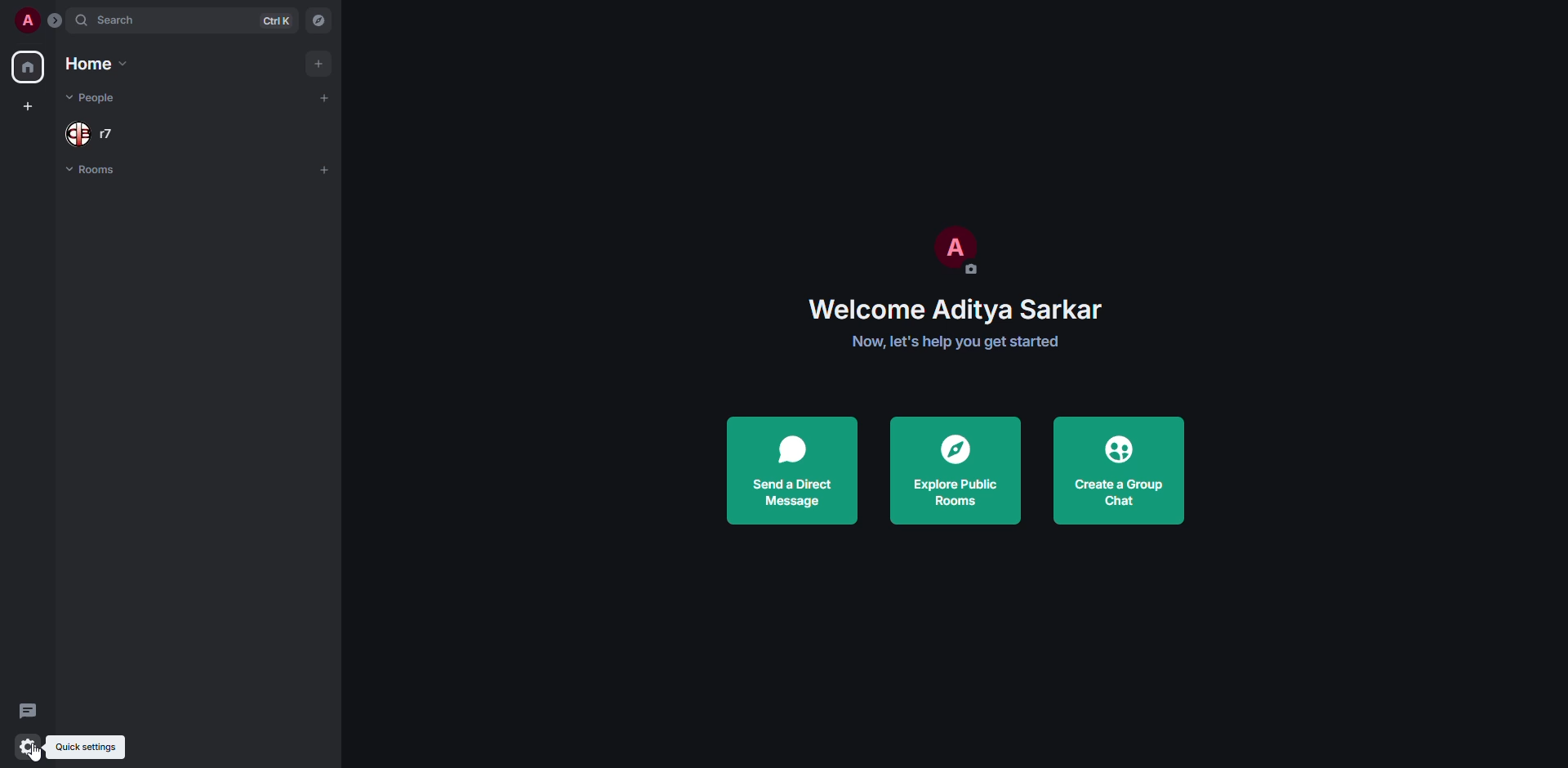 The height and width of the screenshot is (768, 1568). What do you see at coordinates (29, 105) in the screenshot?
I see `create space` at bounding box center [29, 105].